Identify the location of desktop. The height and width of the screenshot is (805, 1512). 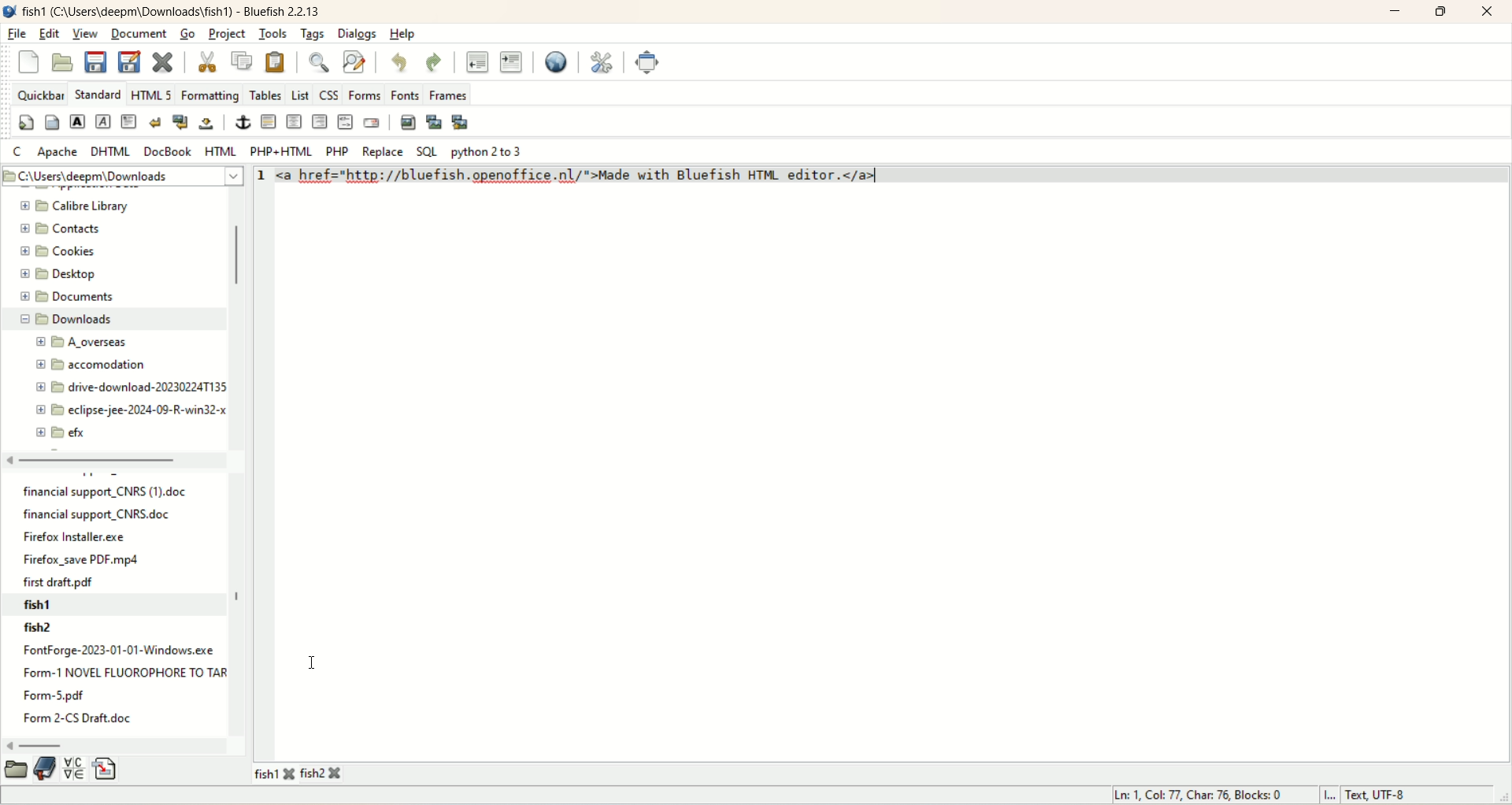
(61, 277).